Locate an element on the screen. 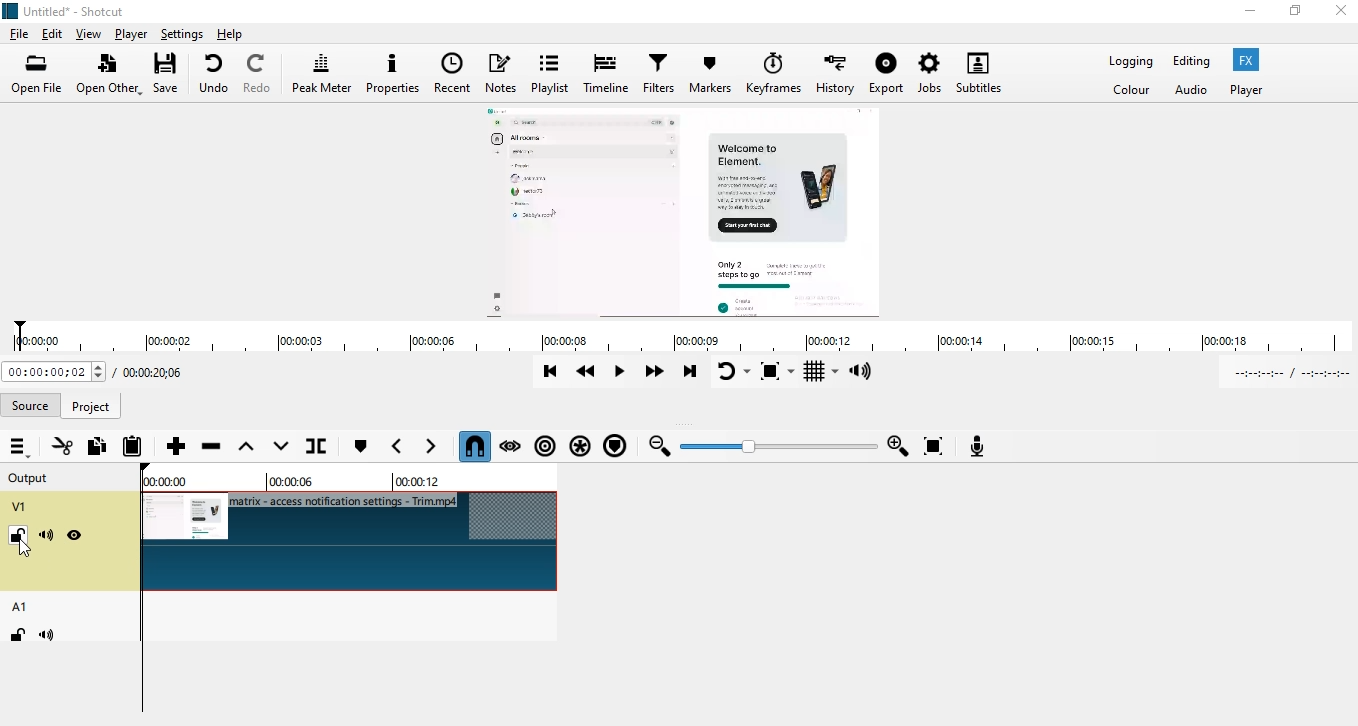  markers is located at coordinates (709, 77).